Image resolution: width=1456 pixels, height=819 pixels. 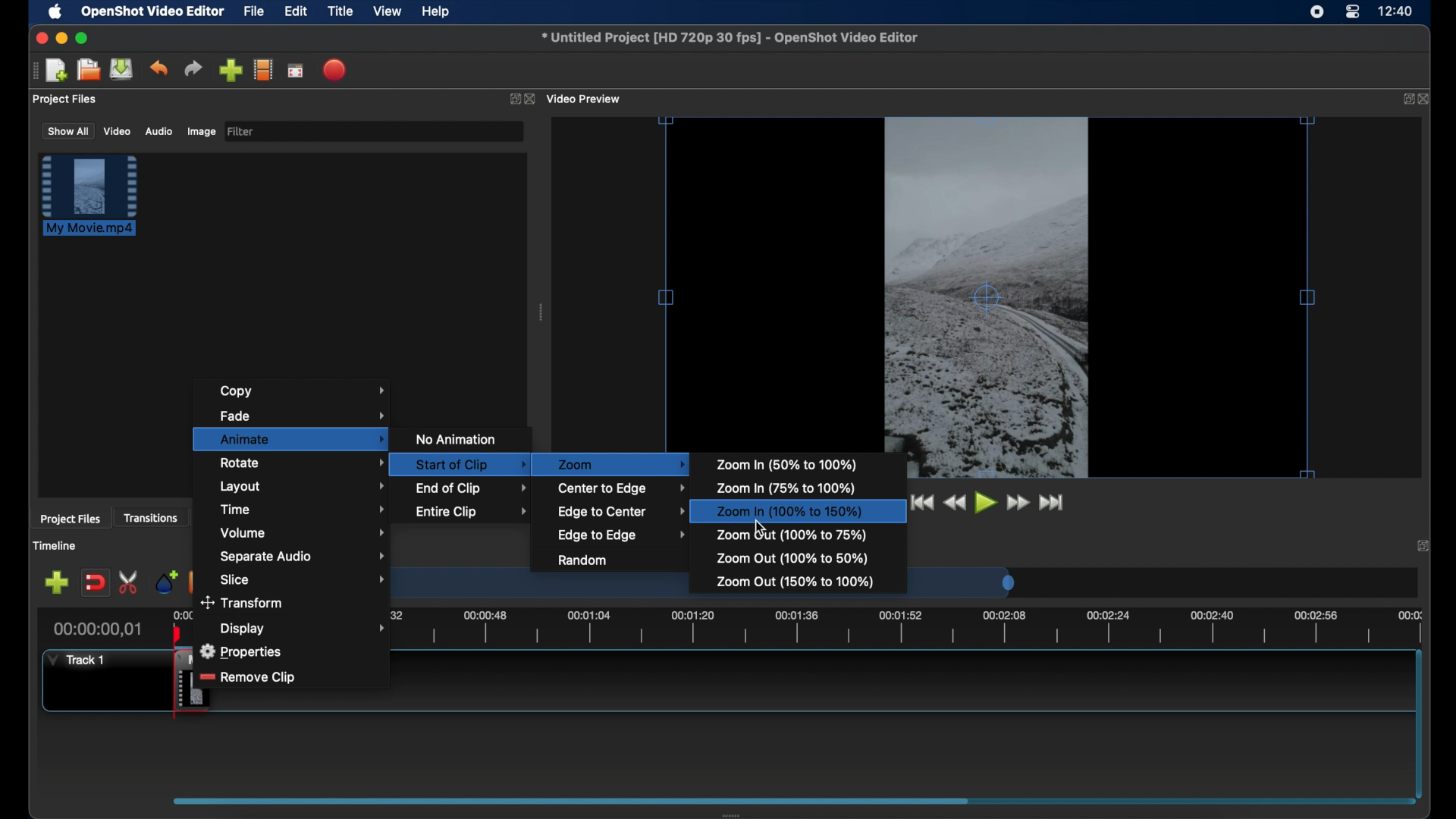 I want to click on transform, so click(x=244, y=605).